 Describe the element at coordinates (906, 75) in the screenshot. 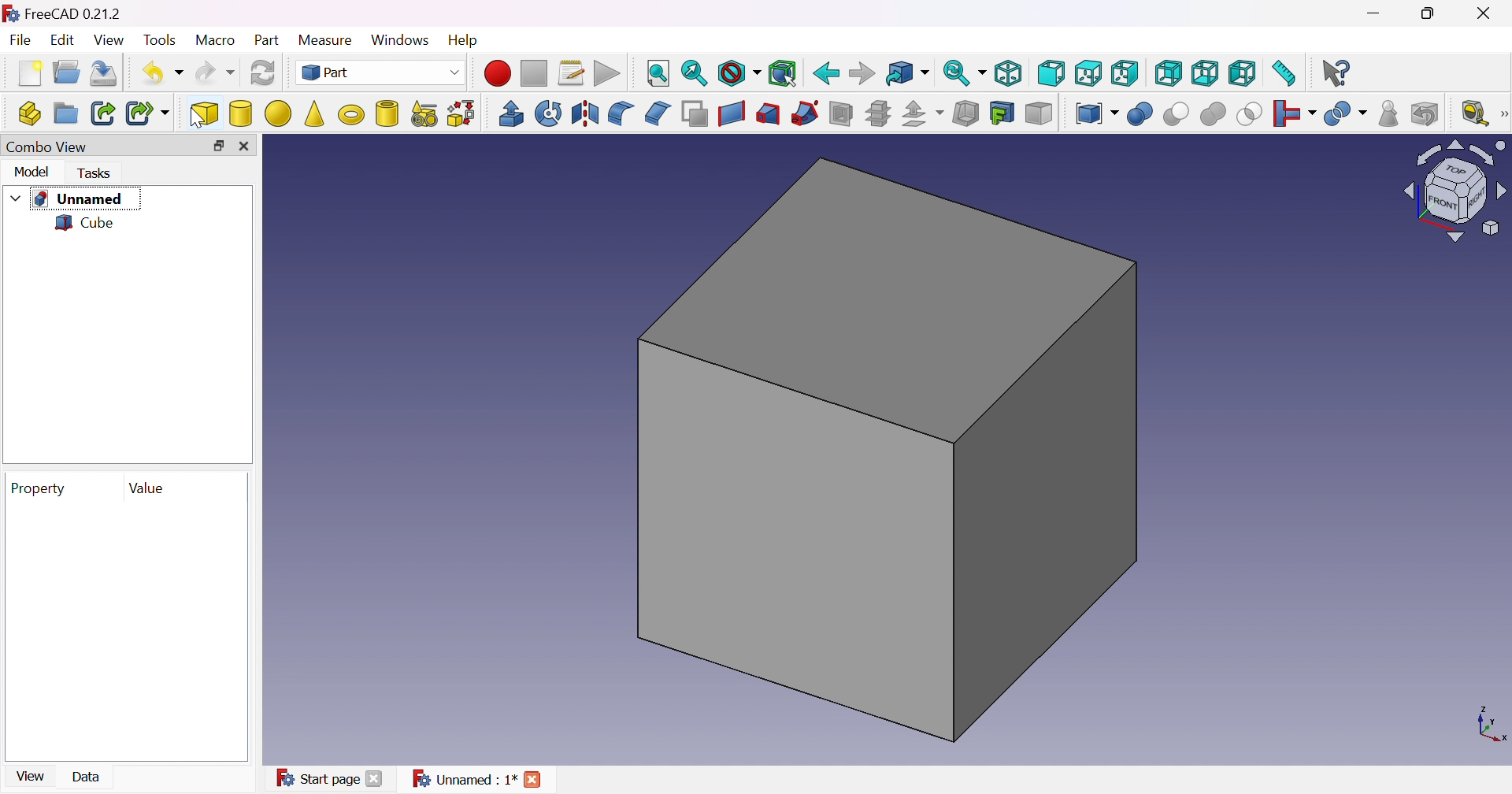

I see `Go to linked object` at that location.